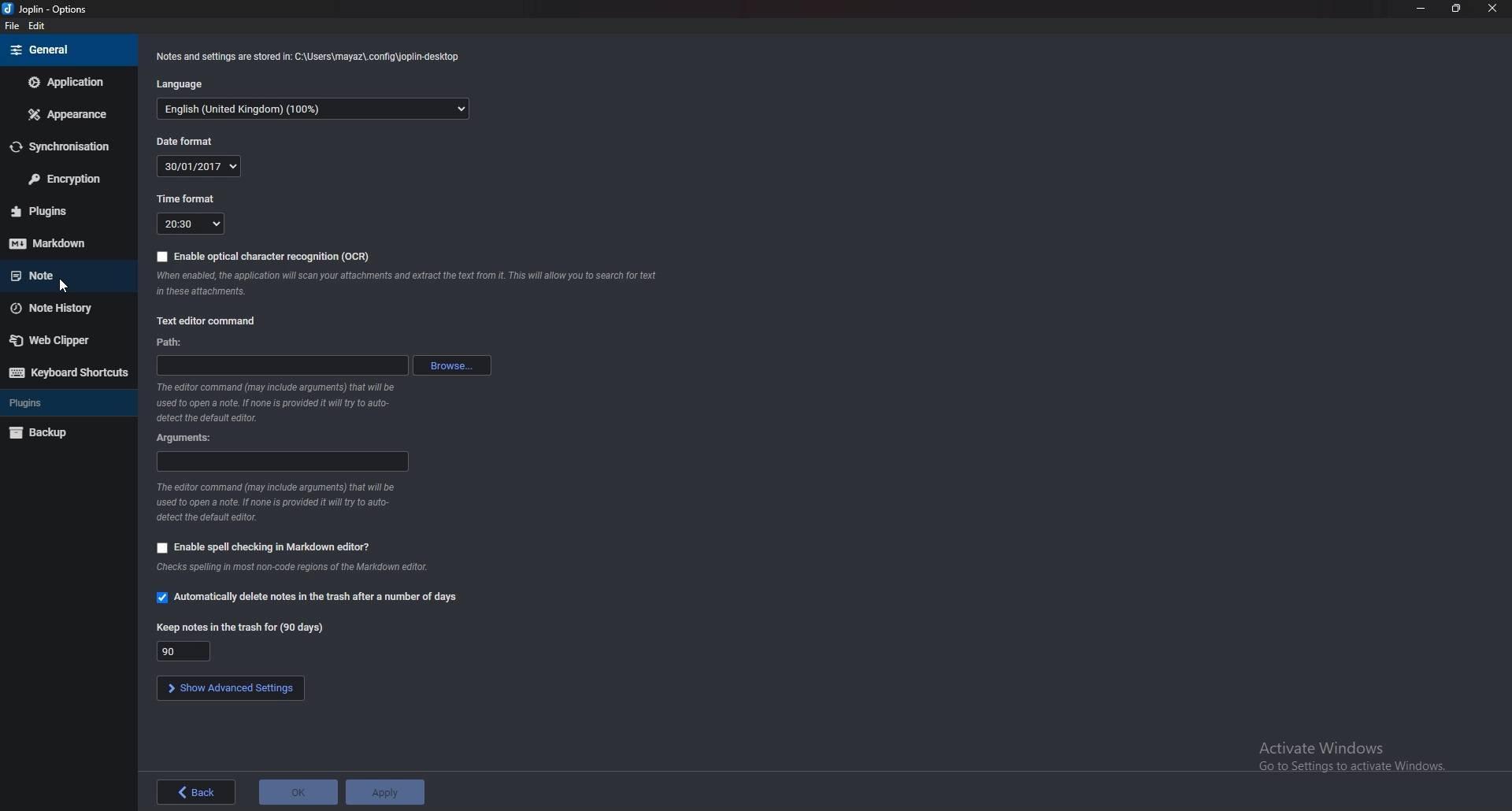 The image size is (1512, 811). Describe the element at coordinates (455, 365) in the screenshot. I see `browse` at that location.